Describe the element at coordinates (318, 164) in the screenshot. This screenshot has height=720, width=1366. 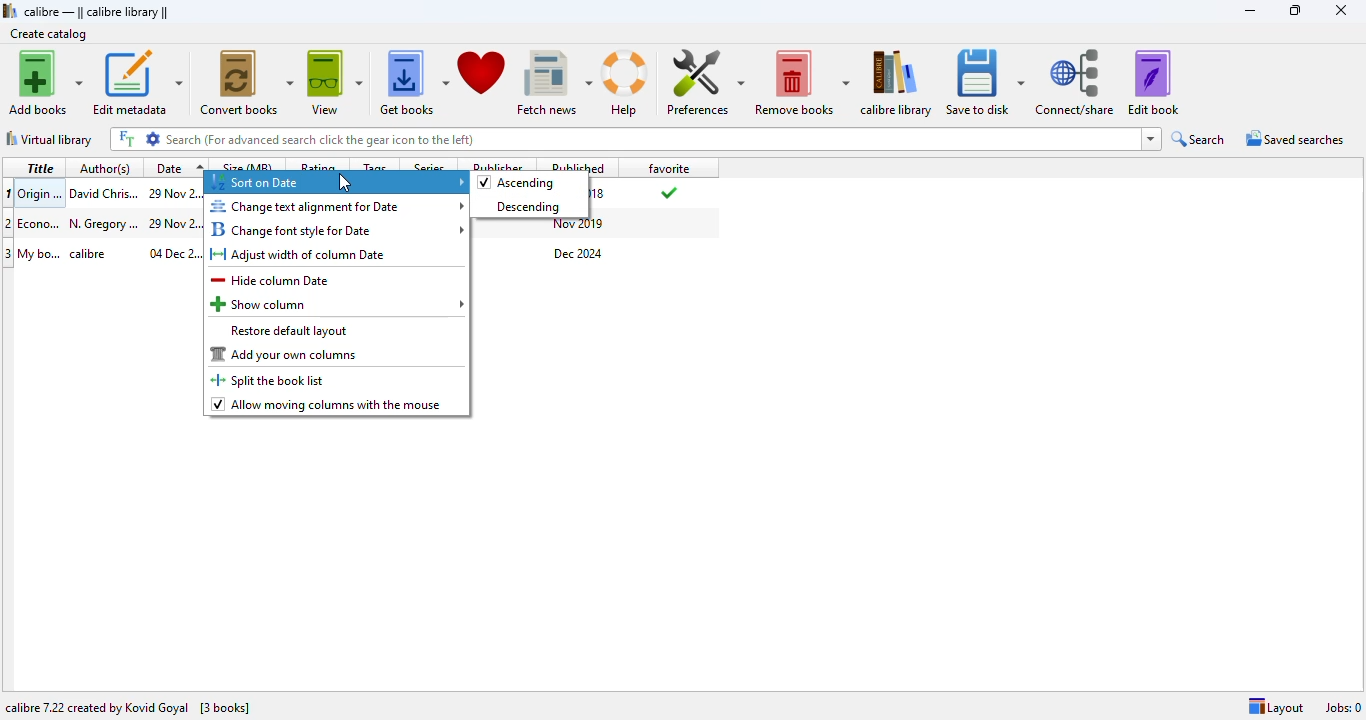
I see `rating` at that location.